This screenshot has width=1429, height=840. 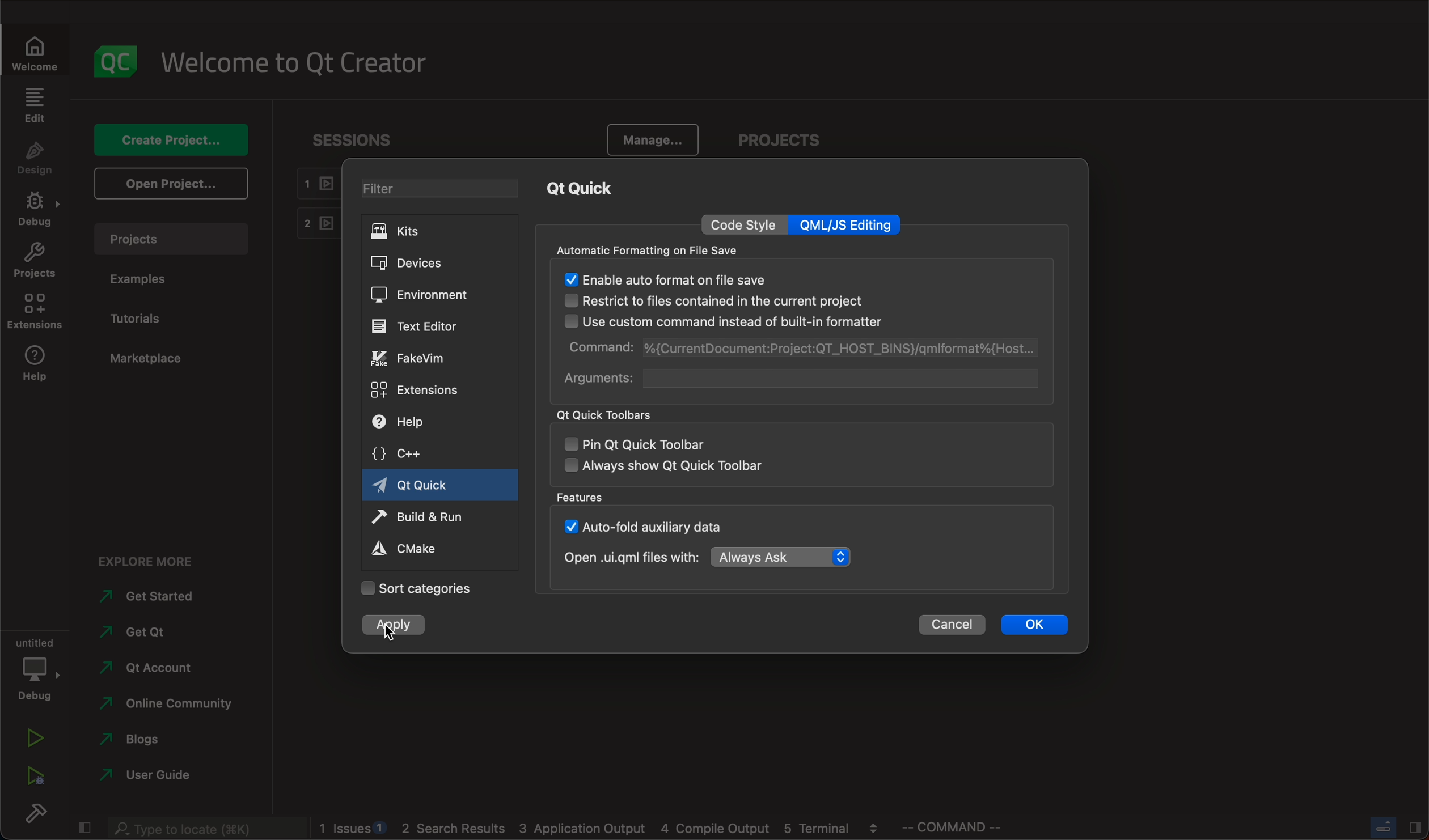 What do you see at coordinates (169, 239) in the screenshot?
I see `projects` at bounding box center [169, 239].